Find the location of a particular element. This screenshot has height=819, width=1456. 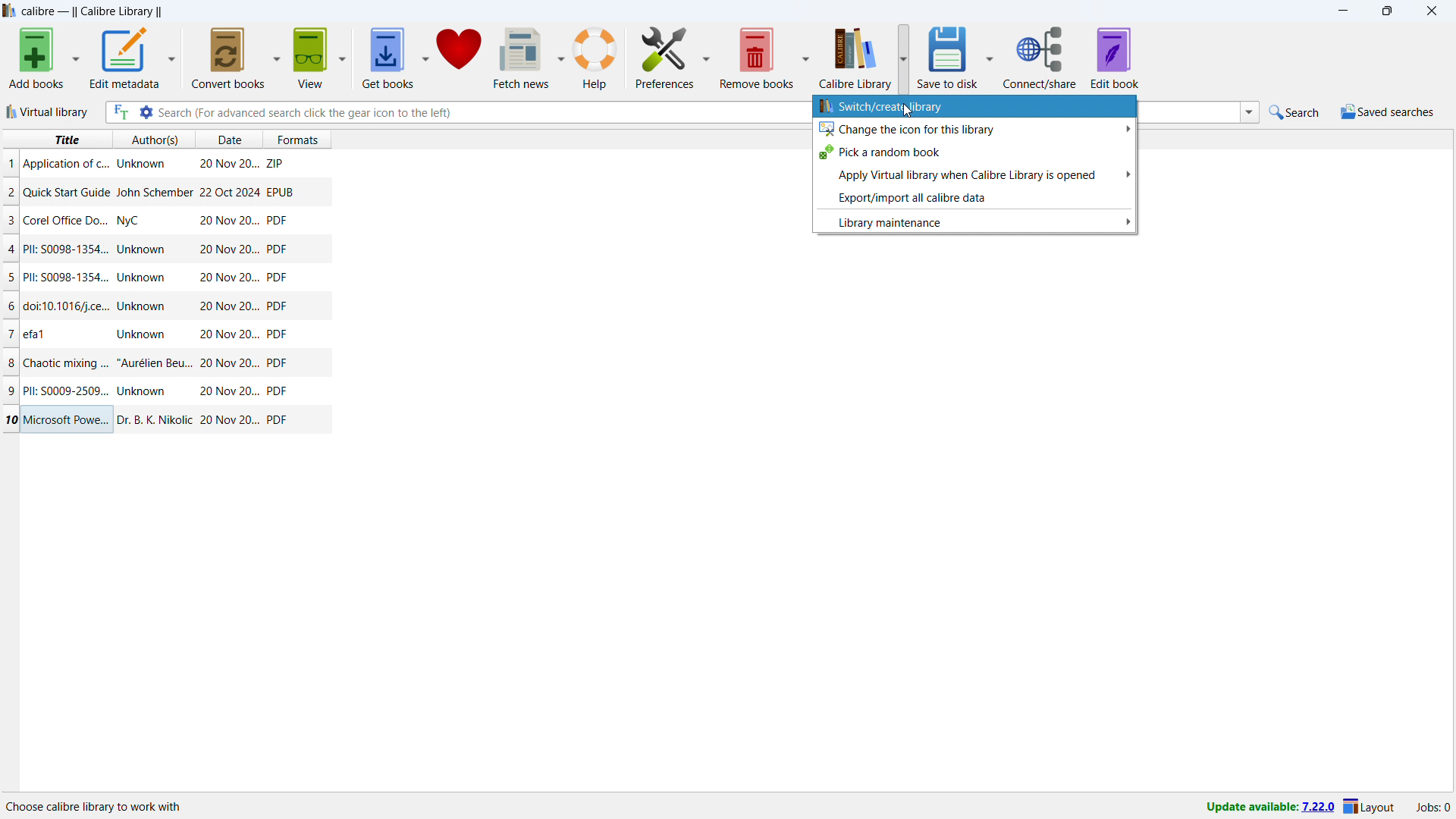

Title is located at coordinates (67, 277).